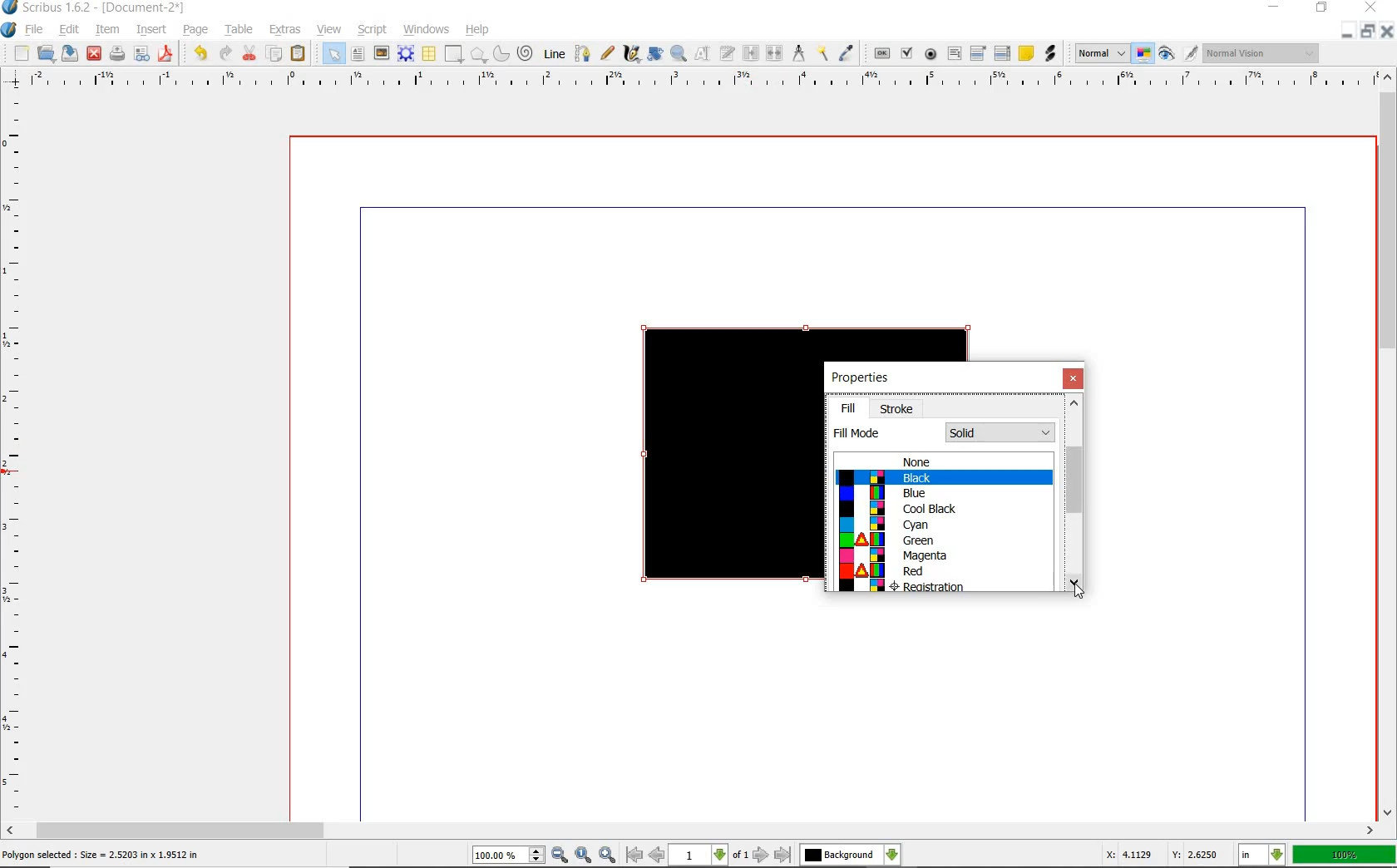 Image resolution: width=1397 pixels, height=868 pixels. Describe the element at coordinates (801, 55) in the screenshot. I see `measurement` at that location.